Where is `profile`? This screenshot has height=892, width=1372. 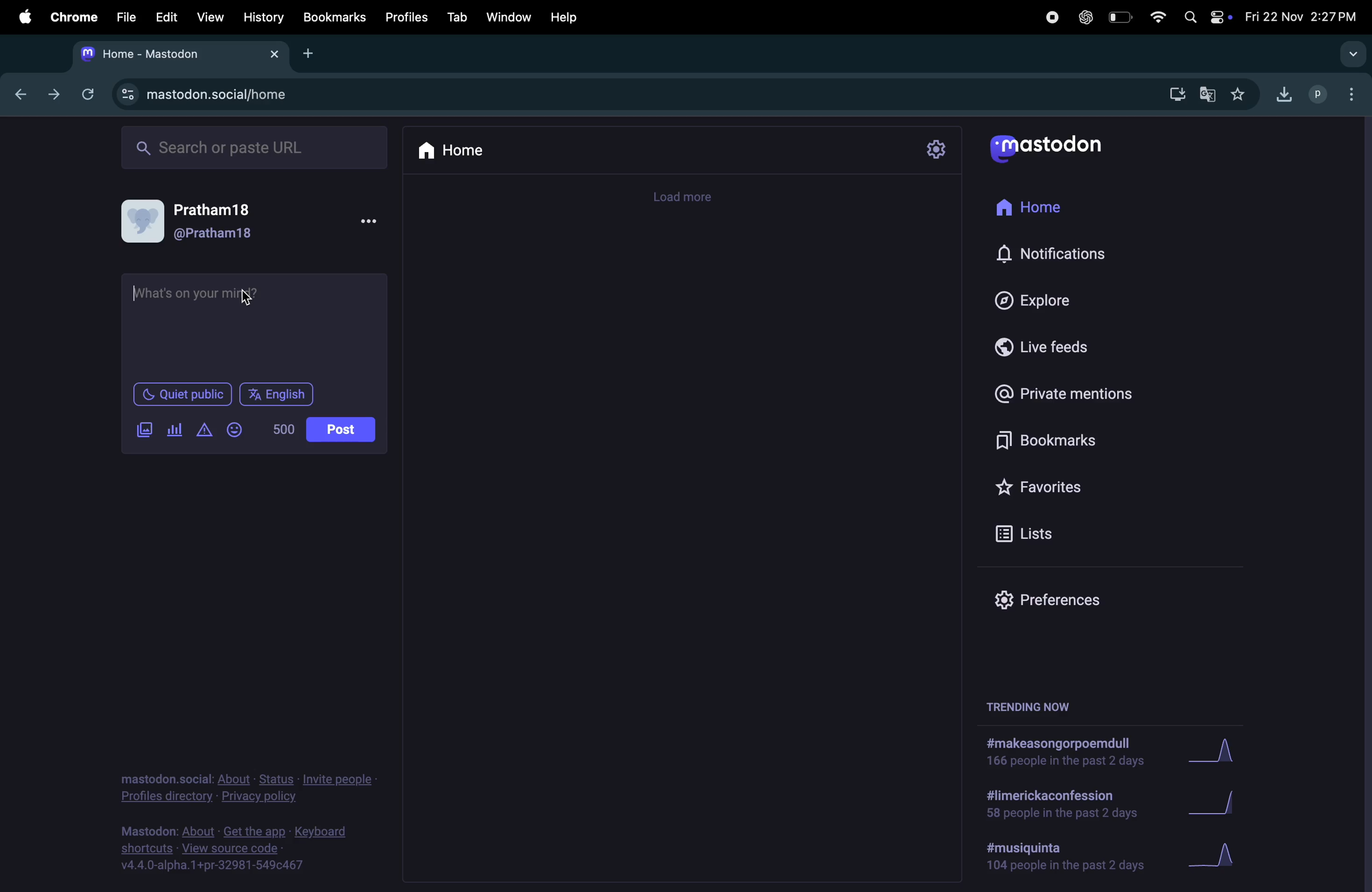 profile is located at coordinates (1319, 94).